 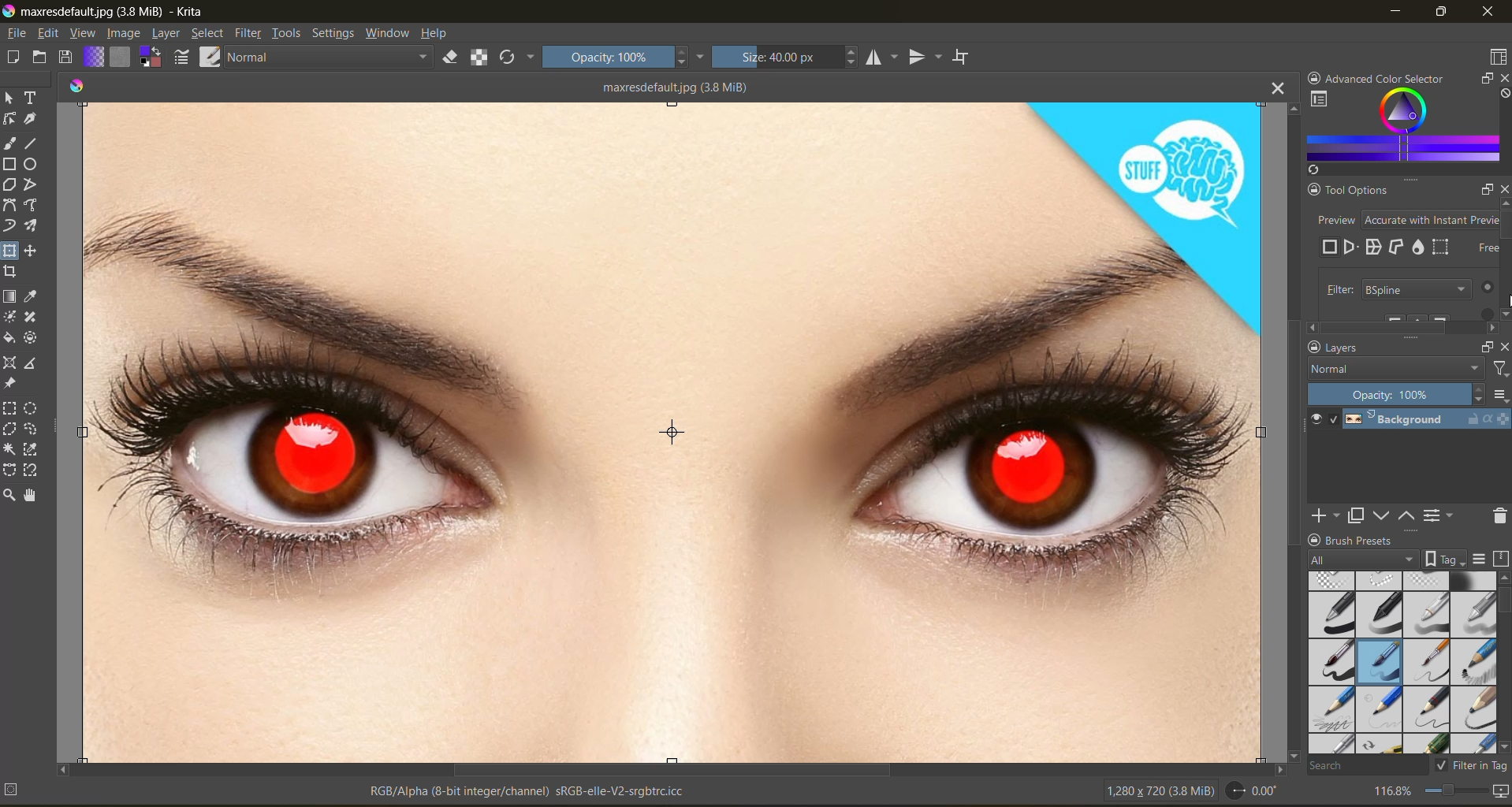 What do you see at coordinates (151, 57) in the screenshot?
I see `swap foreground background color` at bounding box center [151, 57].